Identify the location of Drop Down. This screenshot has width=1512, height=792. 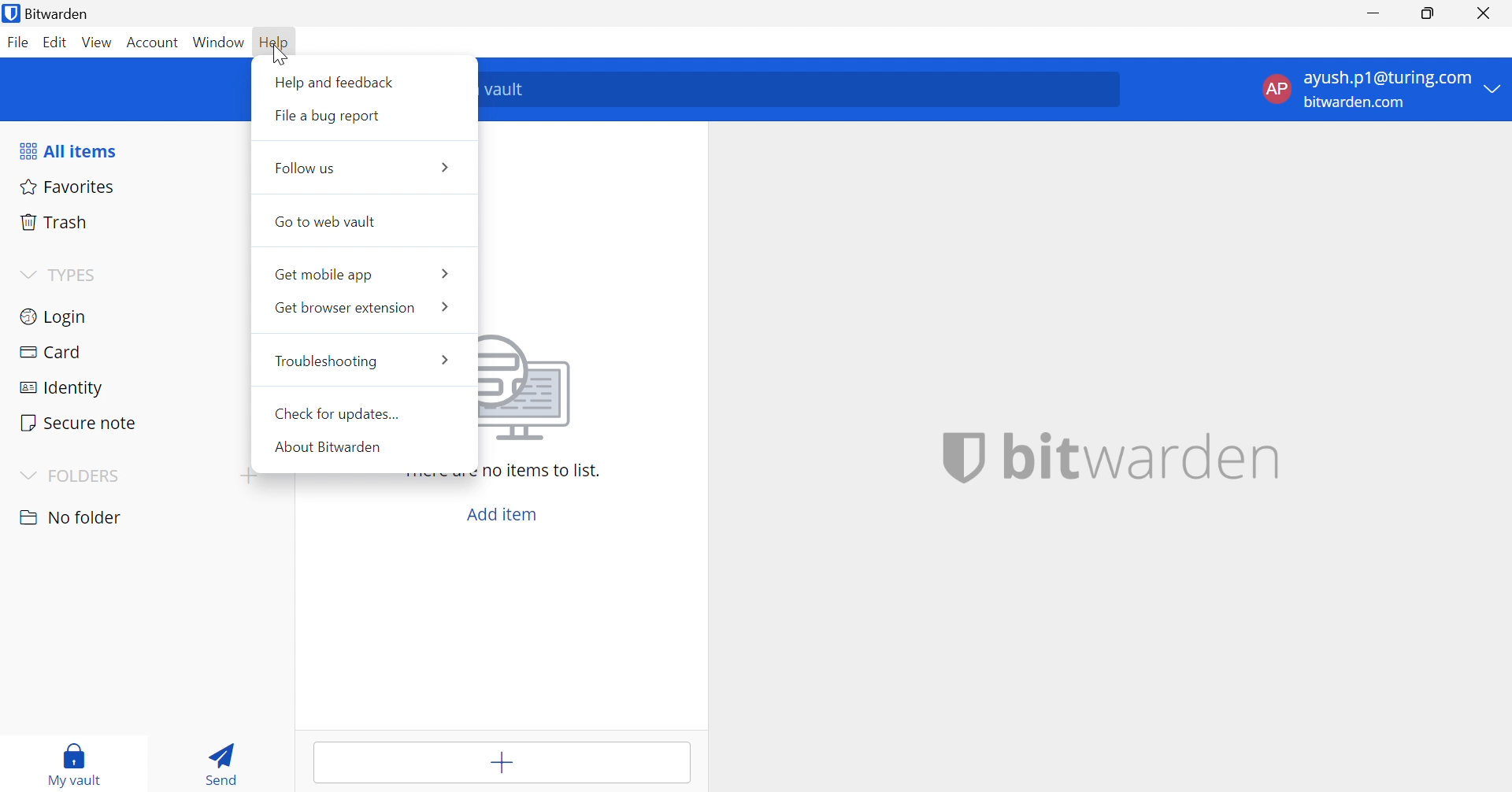
(26, 476).